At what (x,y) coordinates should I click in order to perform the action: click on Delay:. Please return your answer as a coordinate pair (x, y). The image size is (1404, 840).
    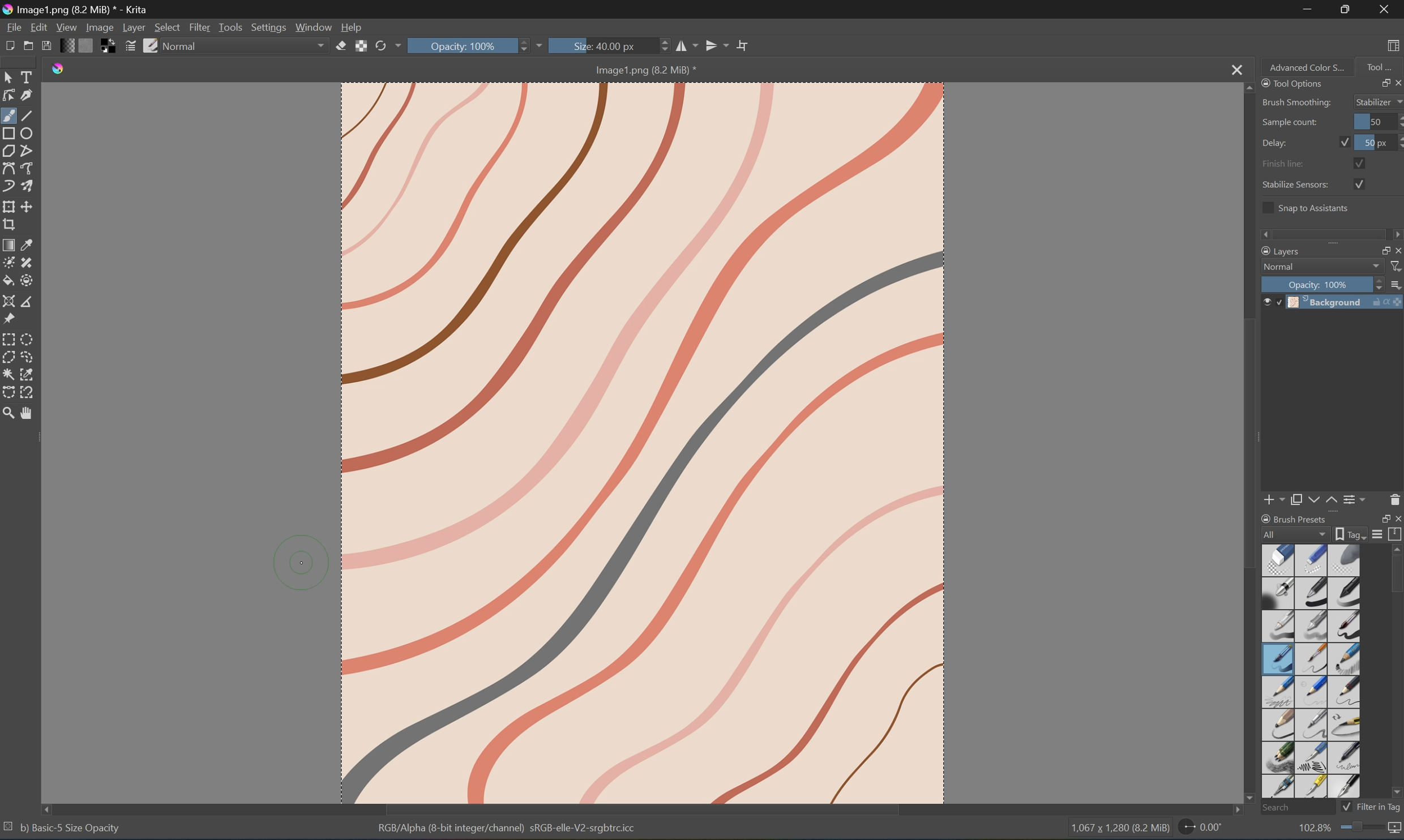
    Looking at the image, I should click on (1275, 144).